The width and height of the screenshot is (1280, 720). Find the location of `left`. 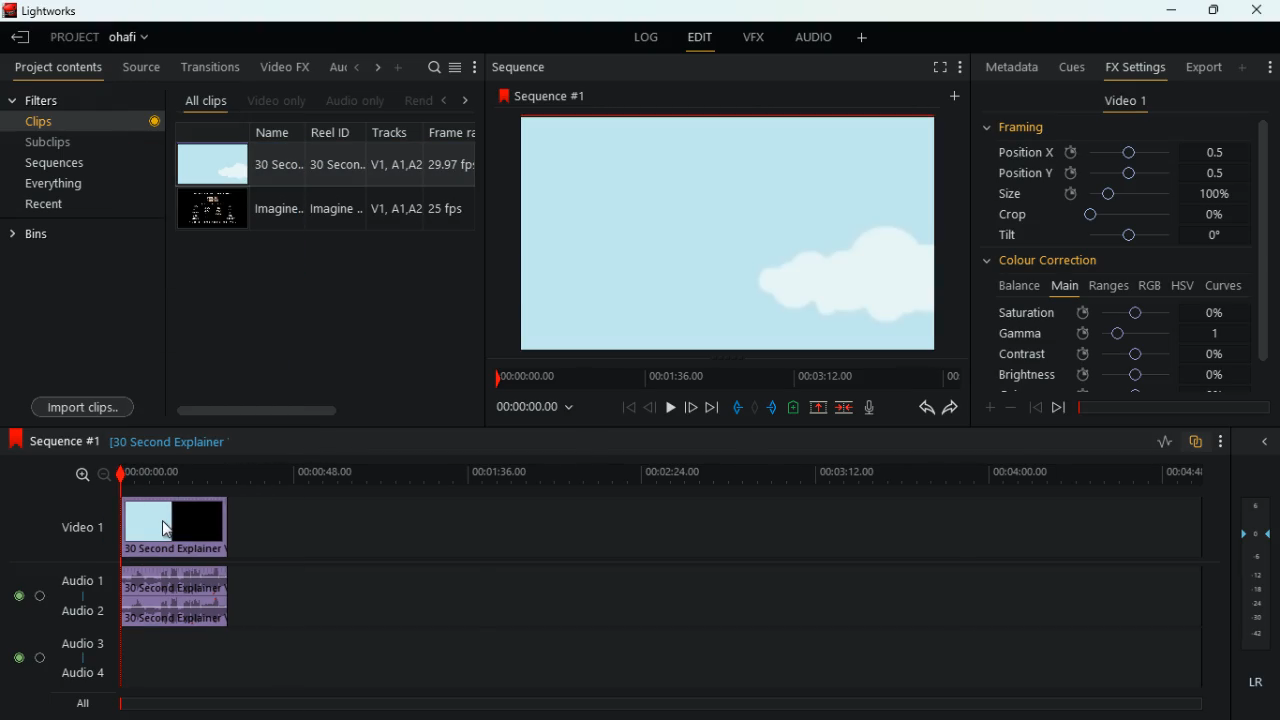

left is located at coordinates (442, 98).